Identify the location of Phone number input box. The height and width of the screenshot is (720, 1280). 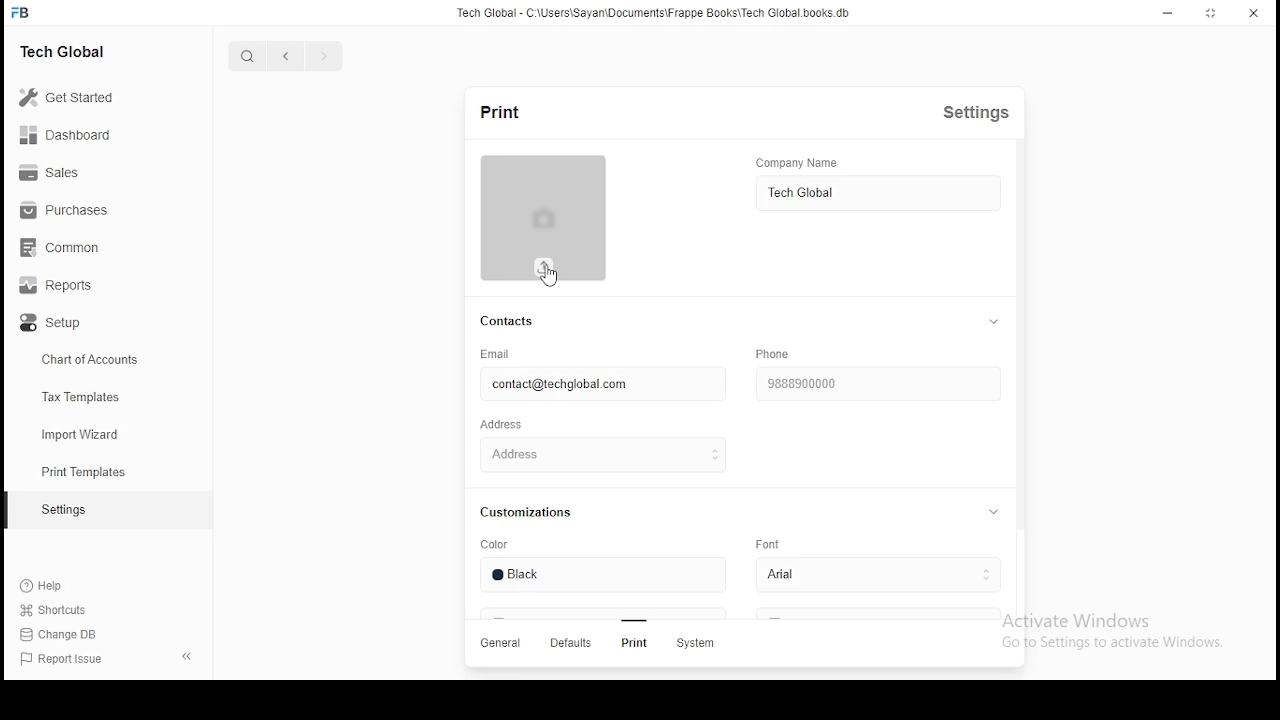
(877, 382).